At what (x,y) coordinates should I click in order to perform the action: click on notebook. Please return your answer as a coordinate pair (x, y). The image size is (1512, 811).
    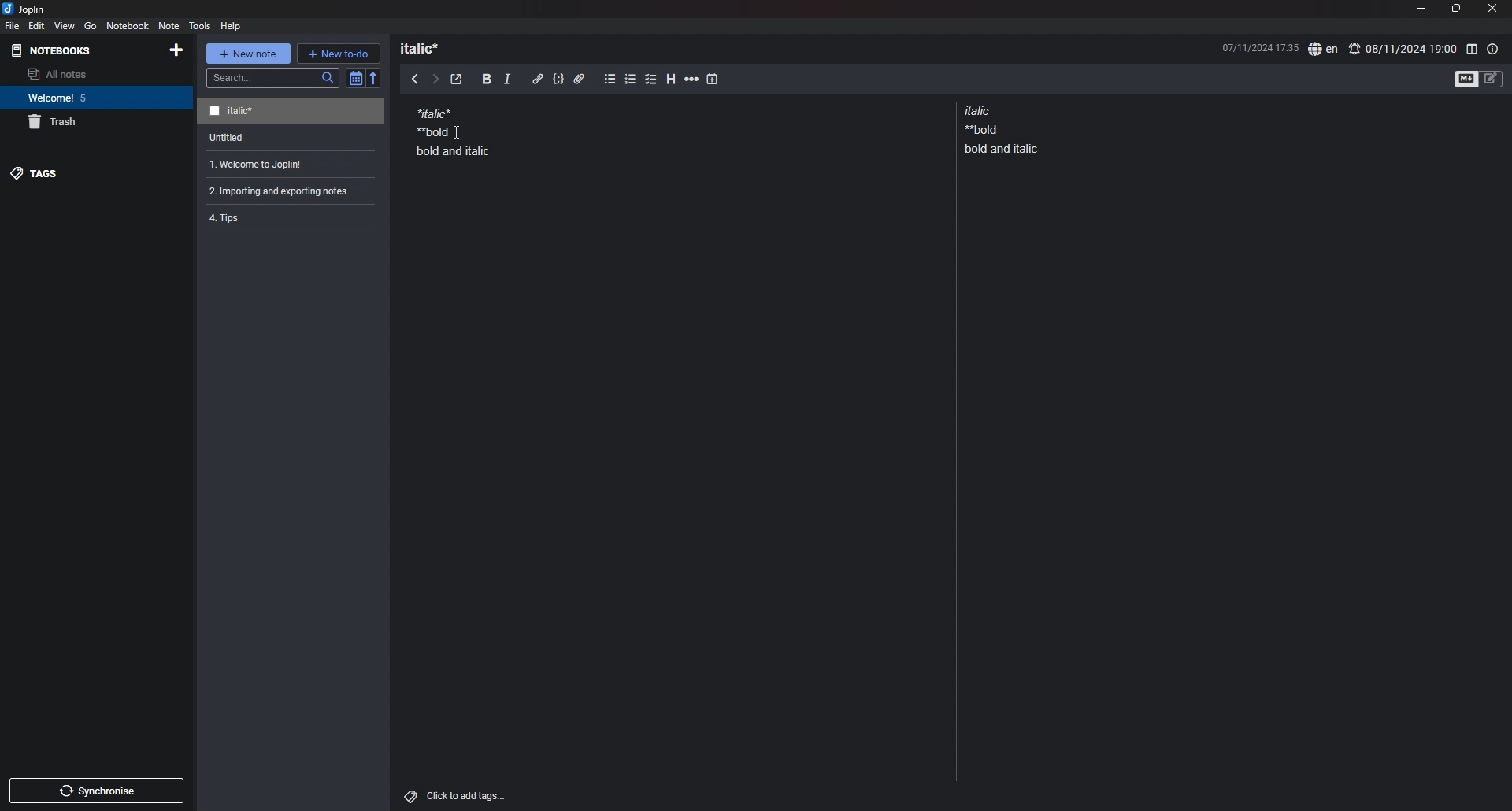
    Looking at the image, I should click on (94, 98).